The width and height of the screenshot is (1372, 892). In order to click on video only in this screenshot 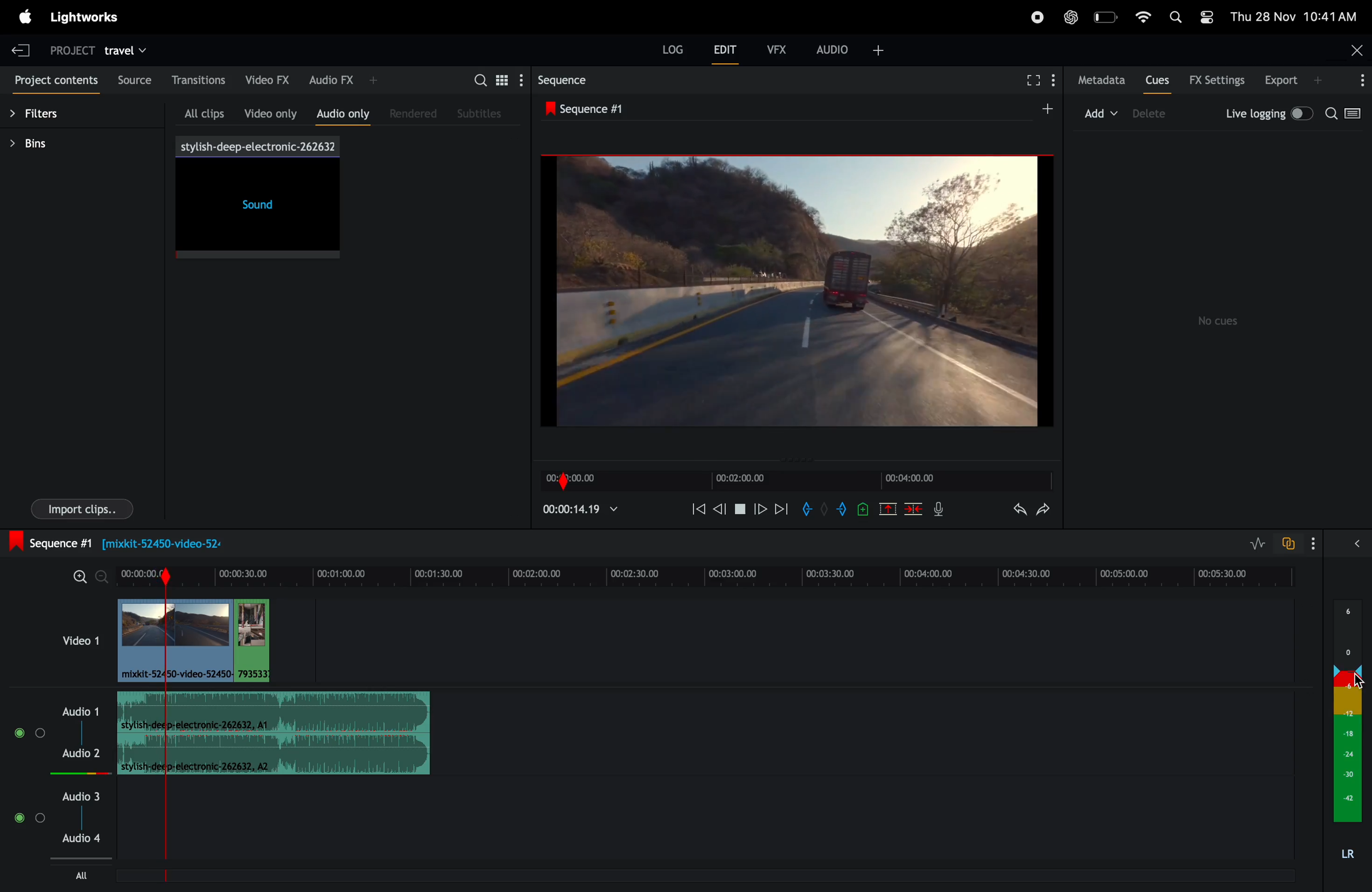, I will do `click(266, 111)`.